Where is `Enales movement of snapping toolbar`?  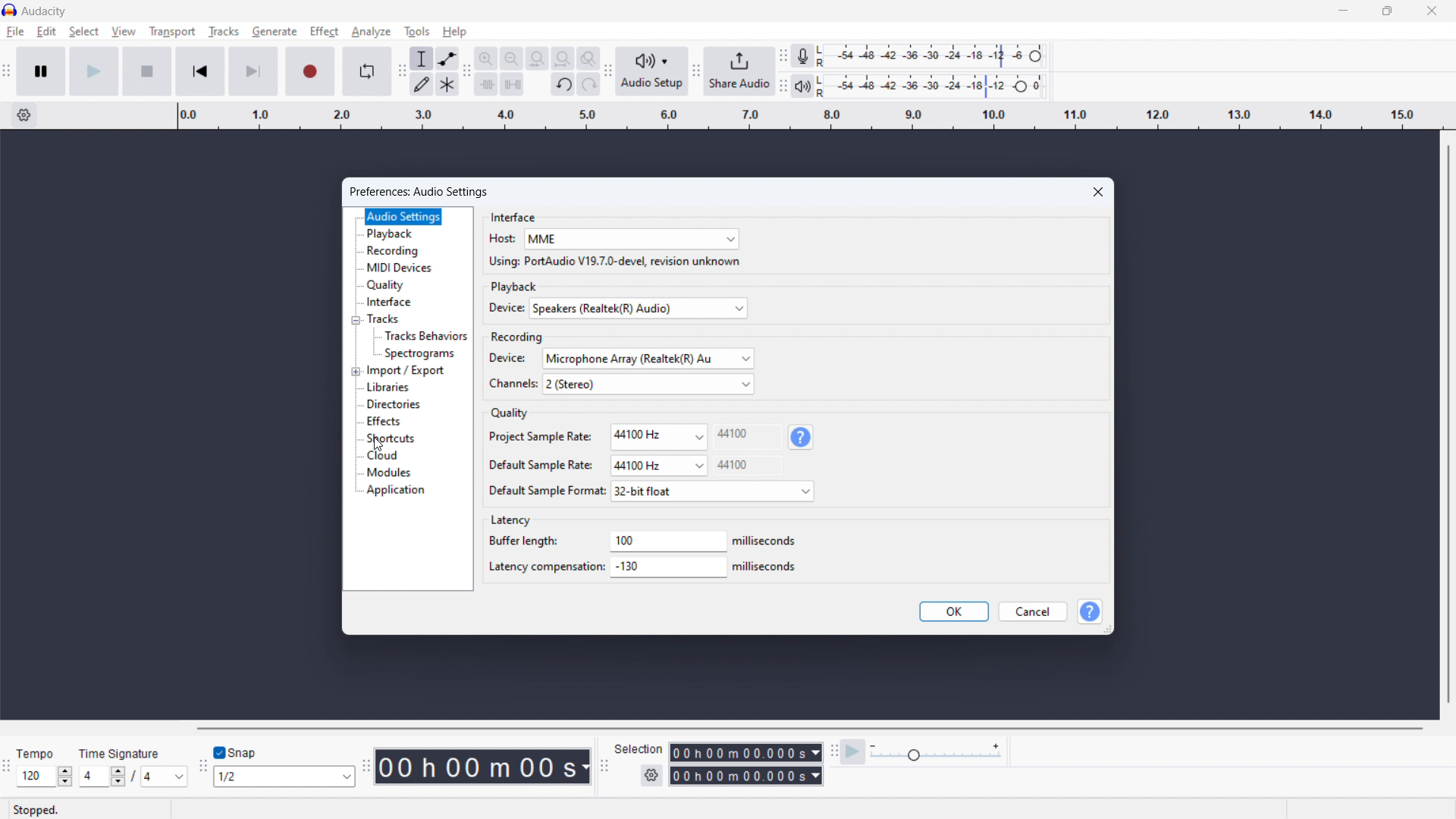
Enales movement of snapping toolbar is located at coordinates (202, 767).